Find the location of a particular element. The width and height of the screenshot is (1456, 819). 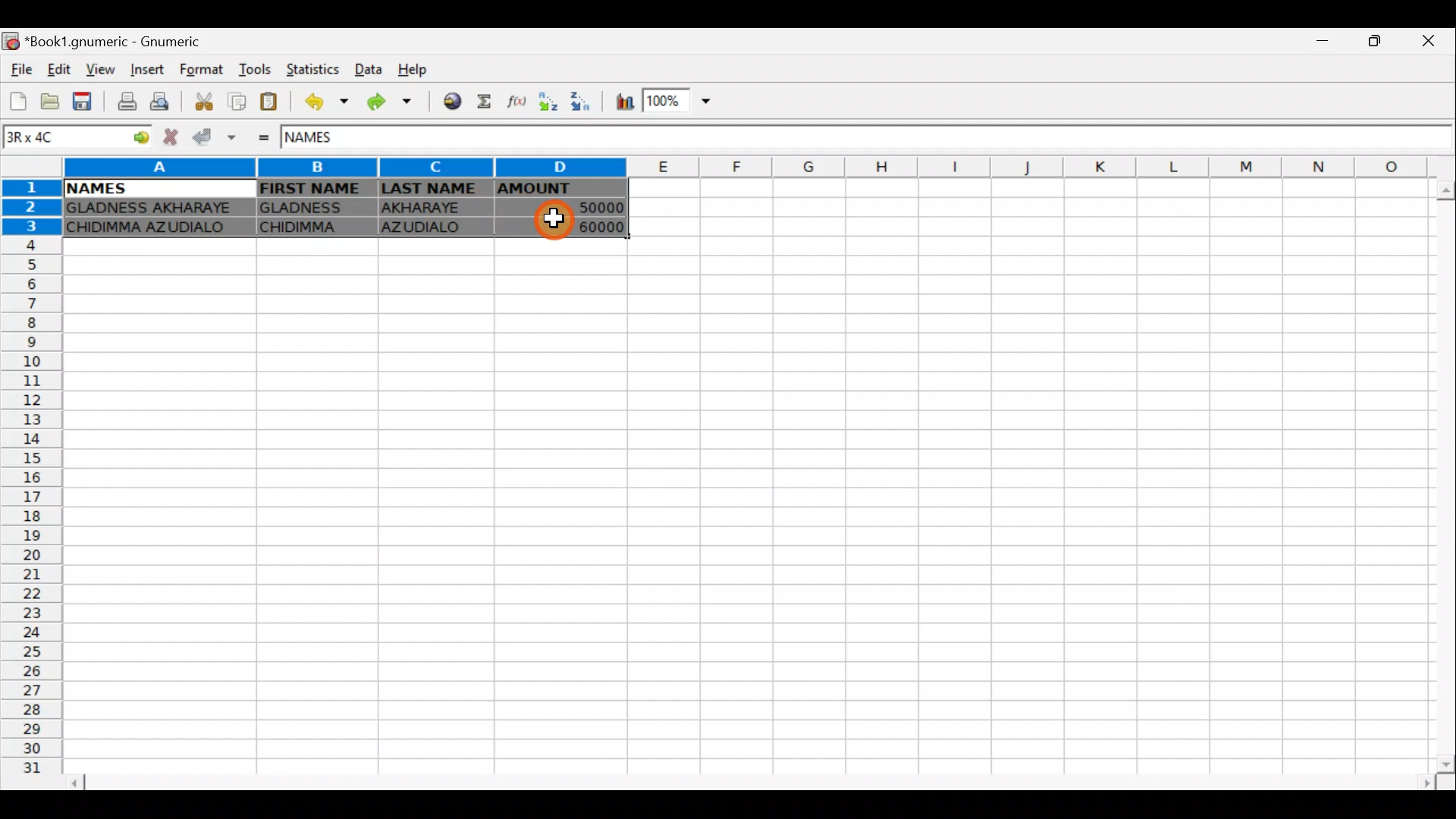

Cursor hovering on cell D3 is located at coordinates (559, 221).